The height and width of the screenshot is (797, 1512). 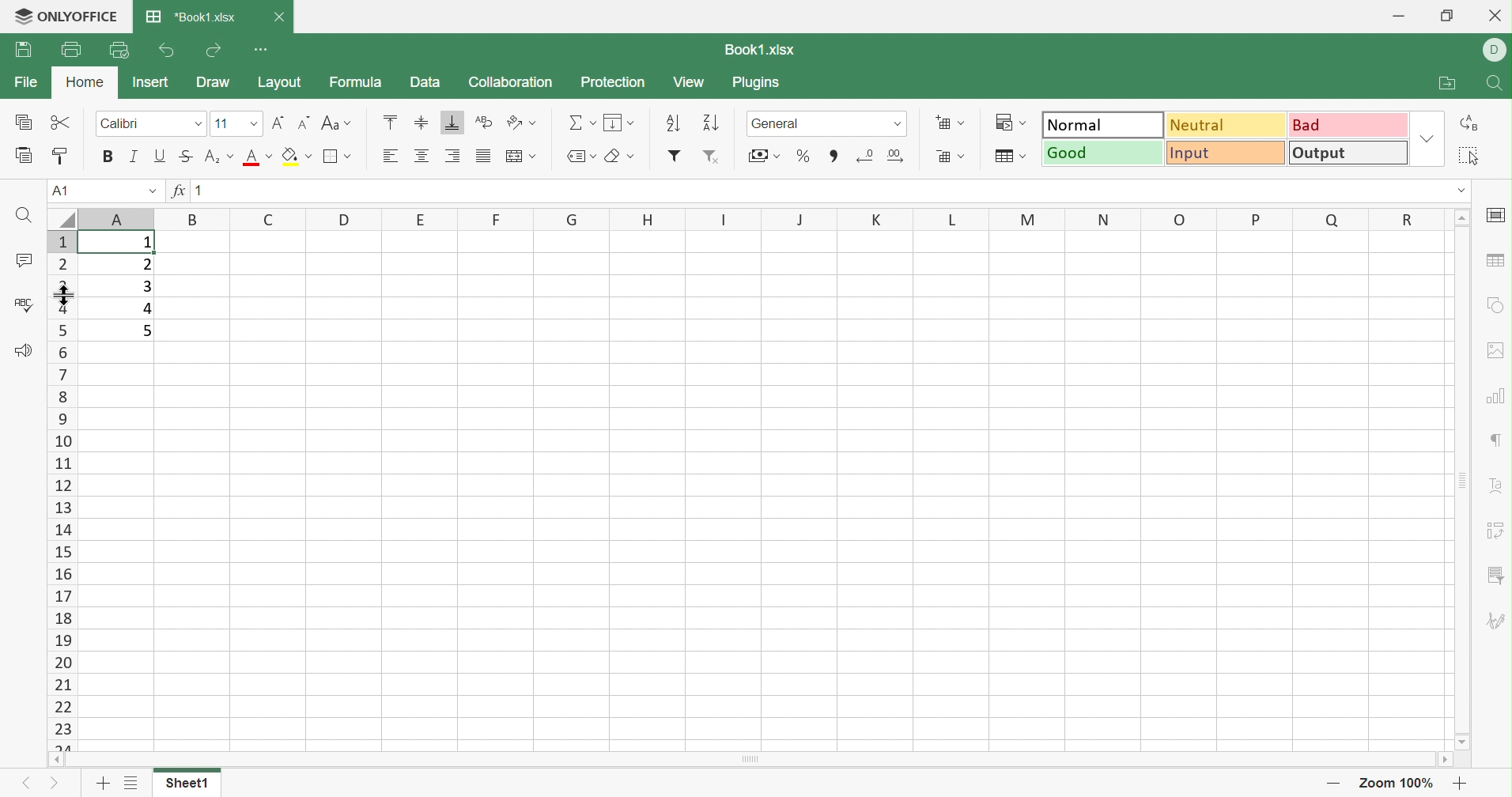 What do you see at coordinates (776, 157) in the screenshot?
I see `Drop Down` at bounding box center [776, 157].